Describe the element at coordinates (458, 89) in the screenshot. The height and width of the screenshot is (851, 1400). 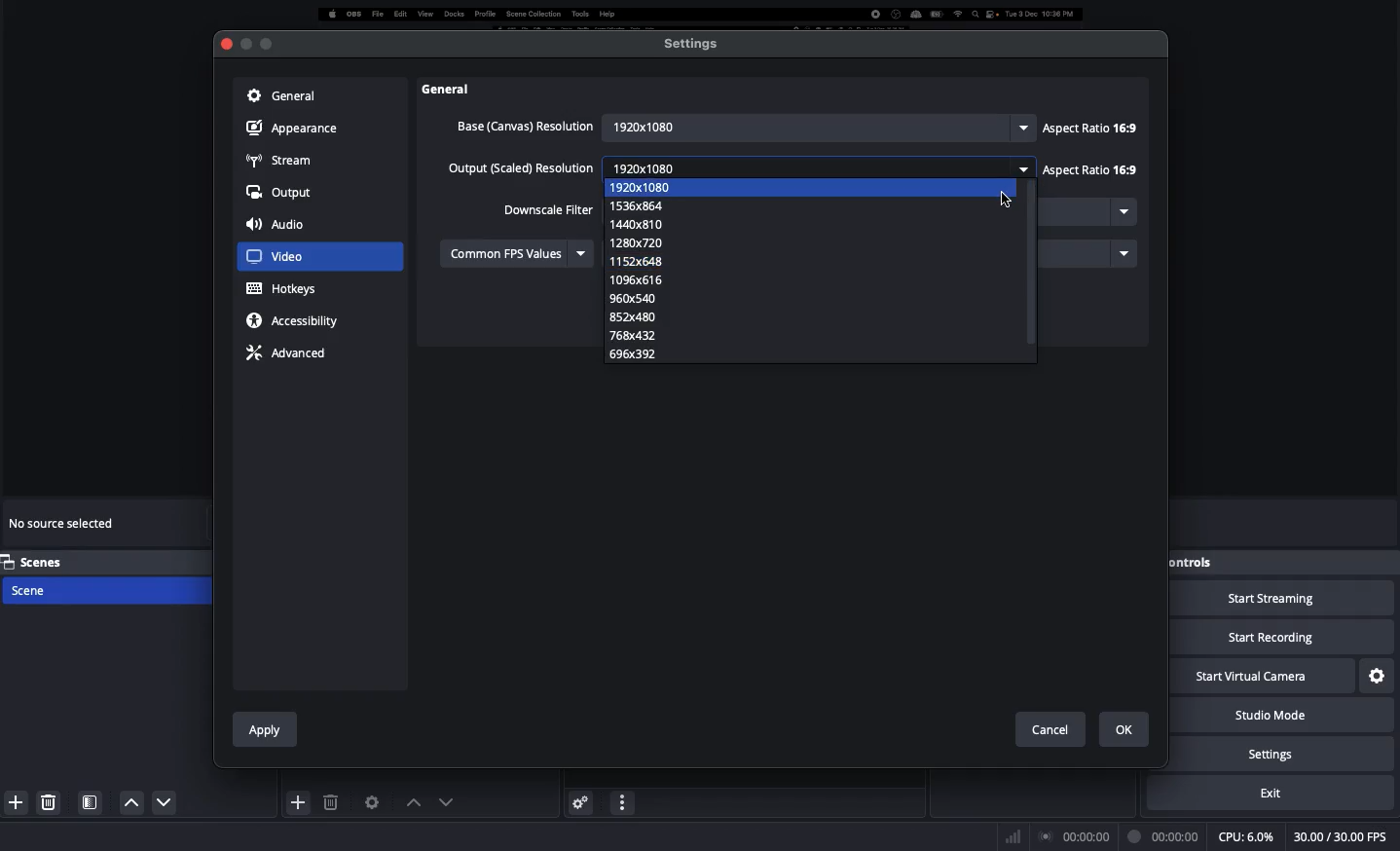
I see `` at that location.